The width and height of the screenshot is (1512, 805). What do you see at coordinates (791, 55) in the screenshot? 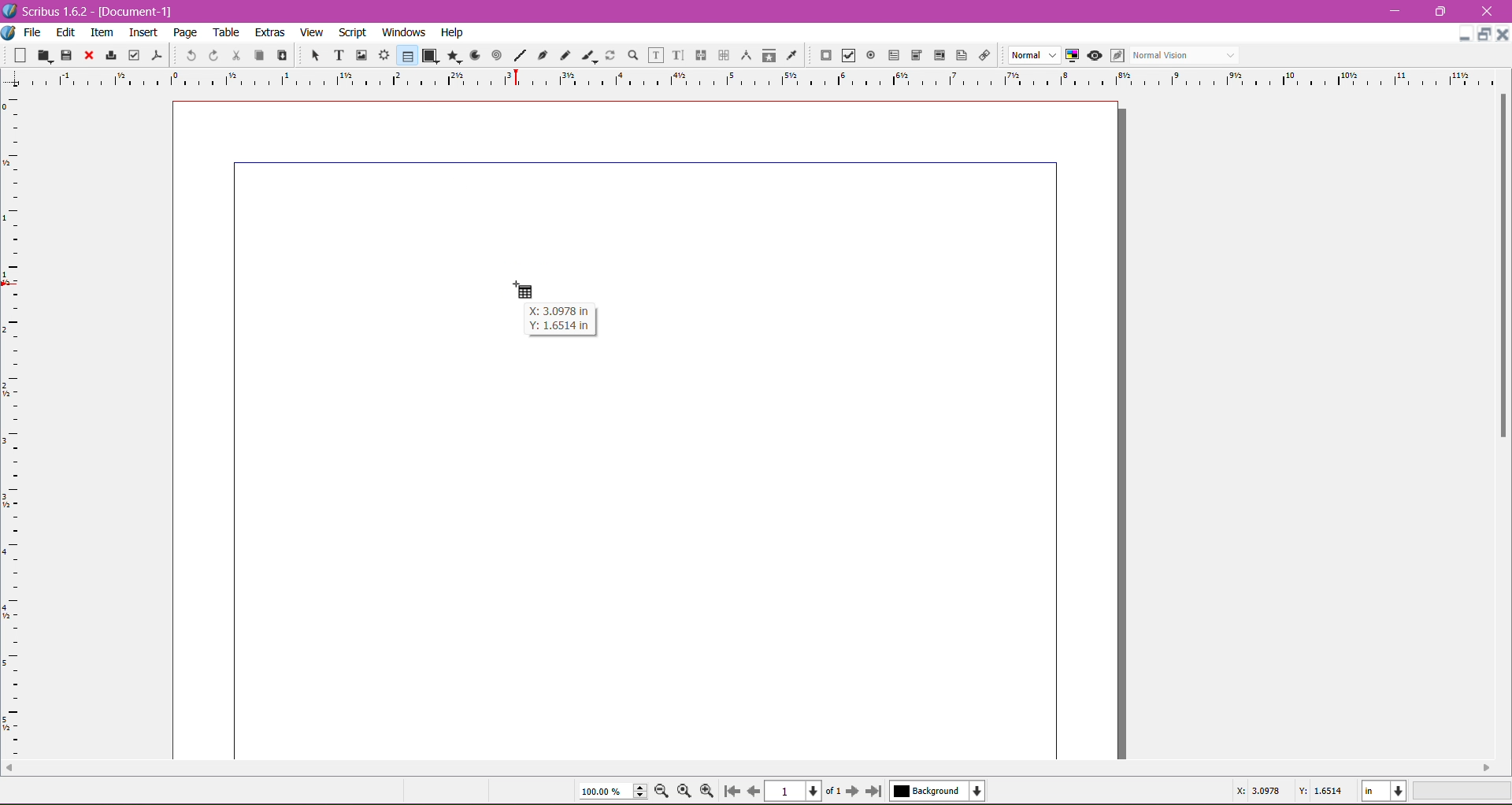
I see `Eye Dropper` at bounding box center [791, 55].